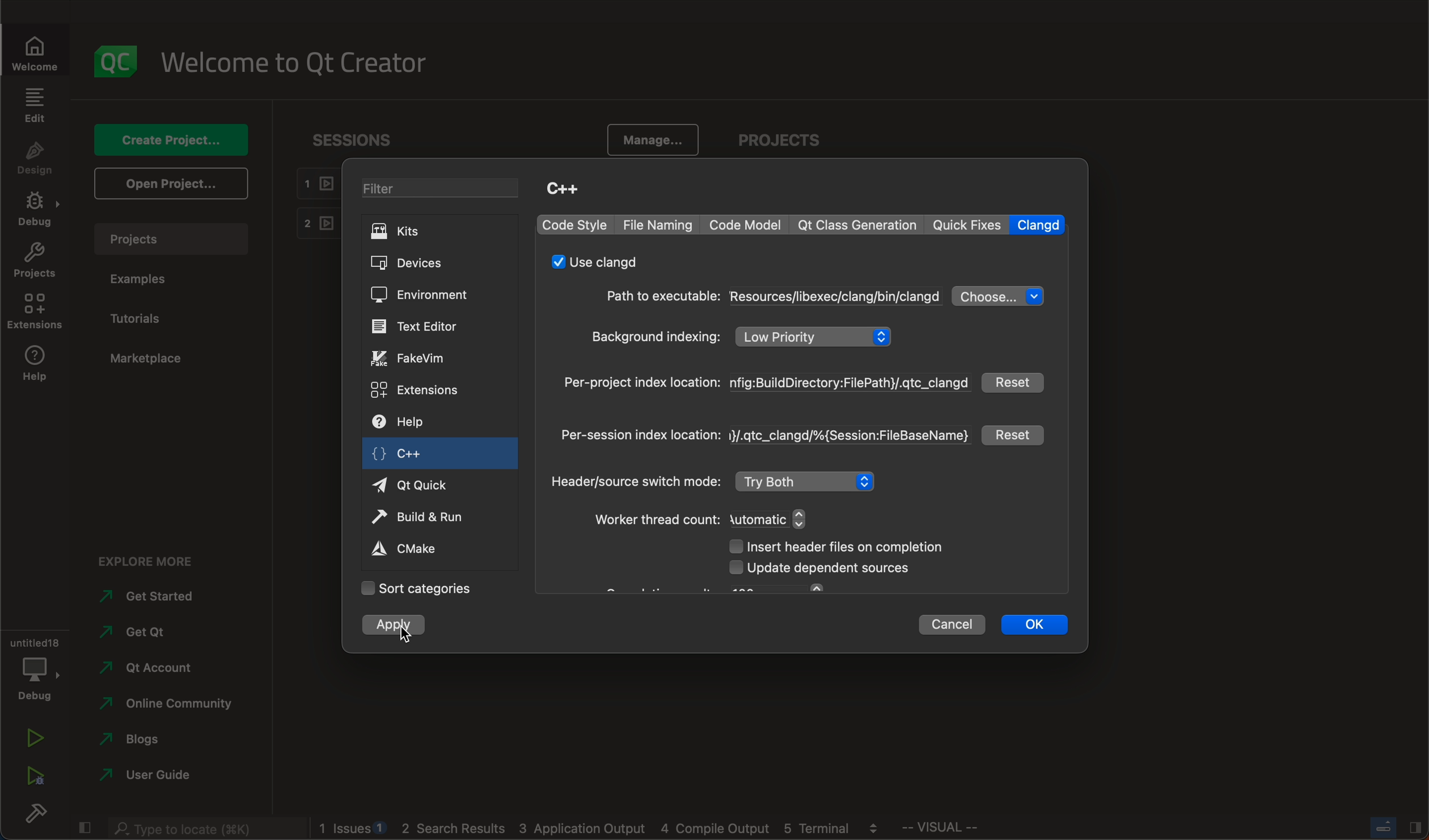 This screenshot has height=840, width=1429. I want to click on projects, so click(174, 239).